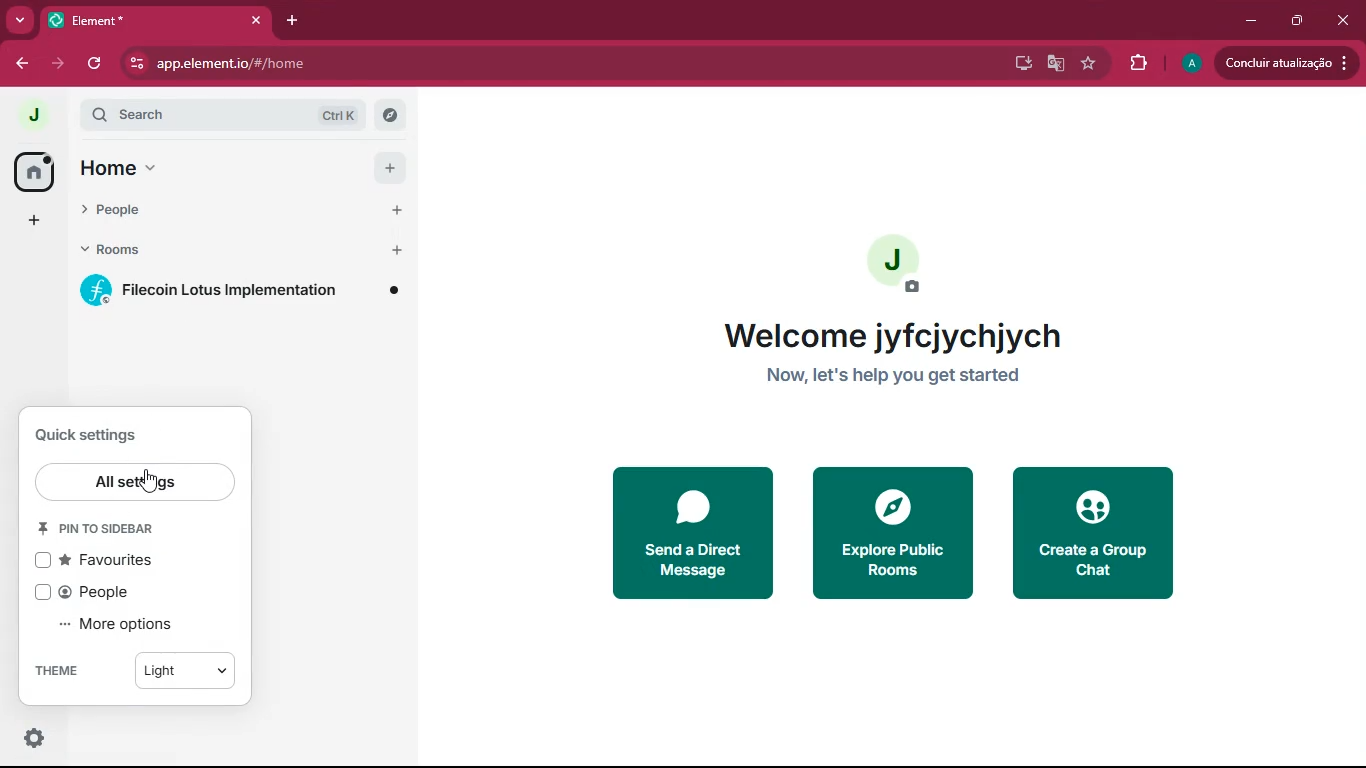  What do you see at coordinates (1135, 63) in the screenshot?
I see `extensions` at bounding box center [1135, 63].